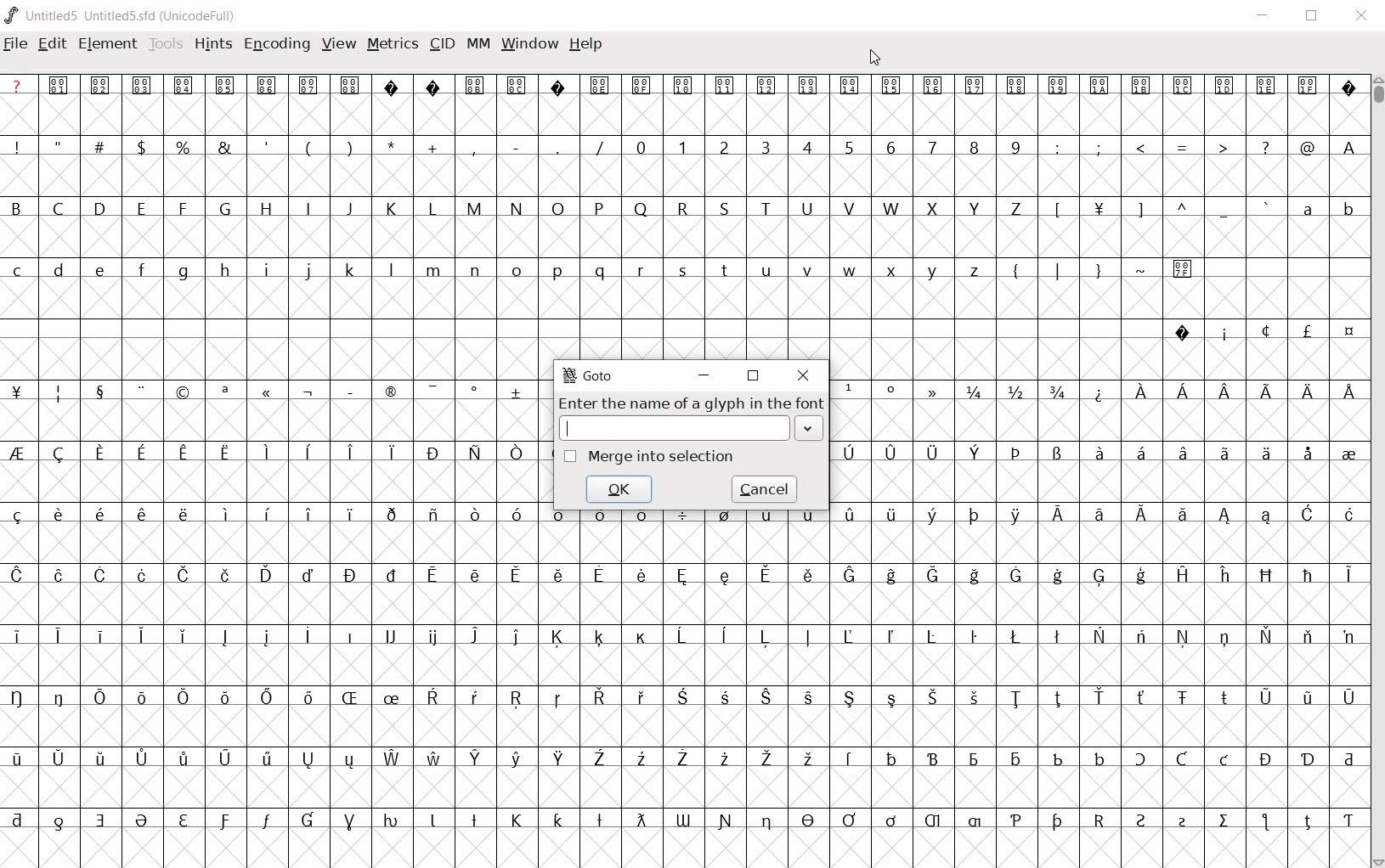 This screenshot has width=1385, height=868. I want to click on Symbol, so click(184, 821).